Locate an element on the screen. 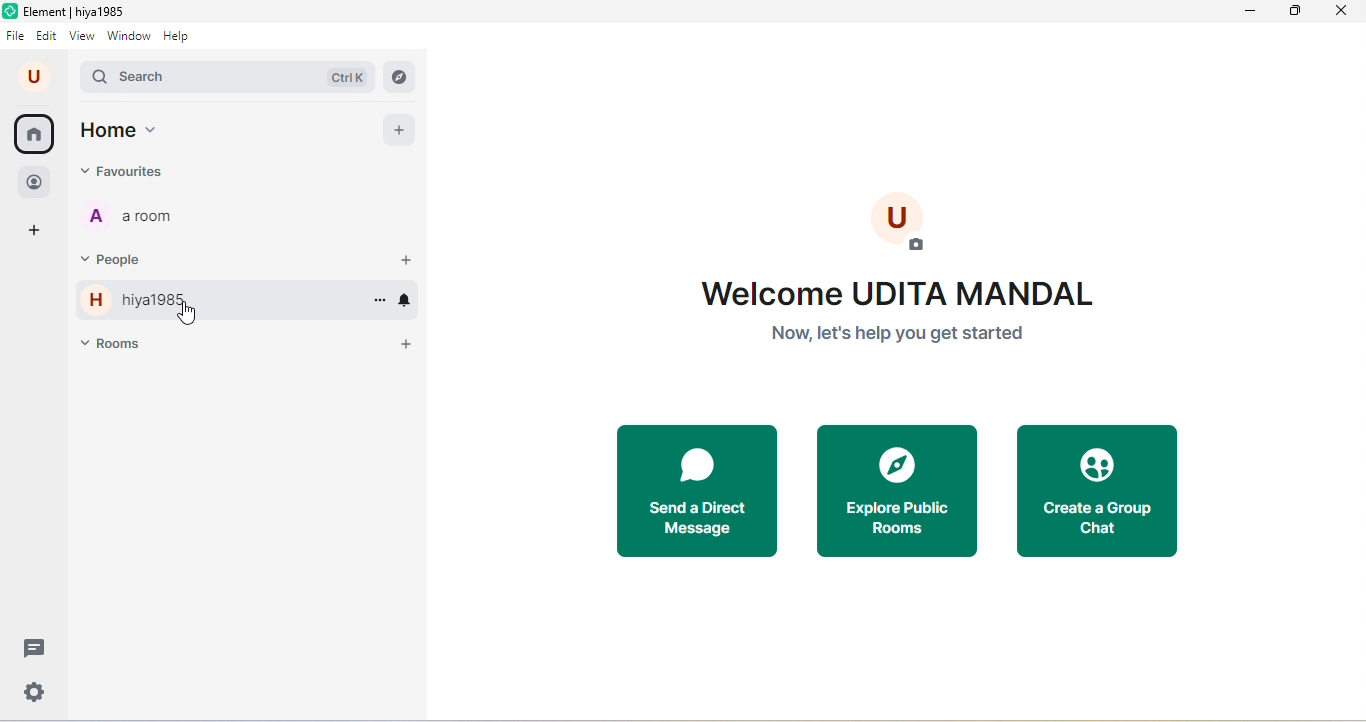  People is located at coordinates (122, 260).